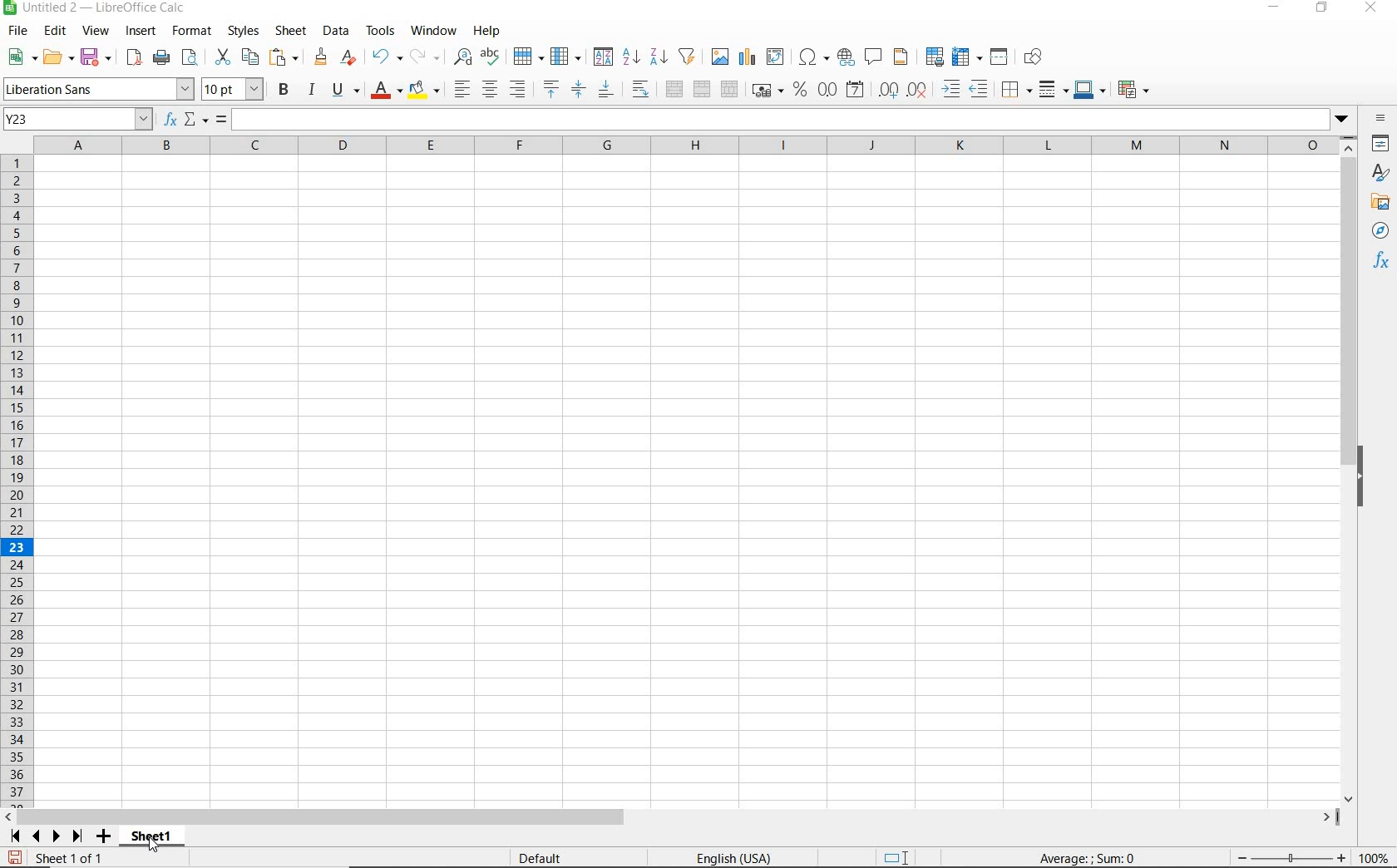  I want to click on SORTS, so click(604, 57).